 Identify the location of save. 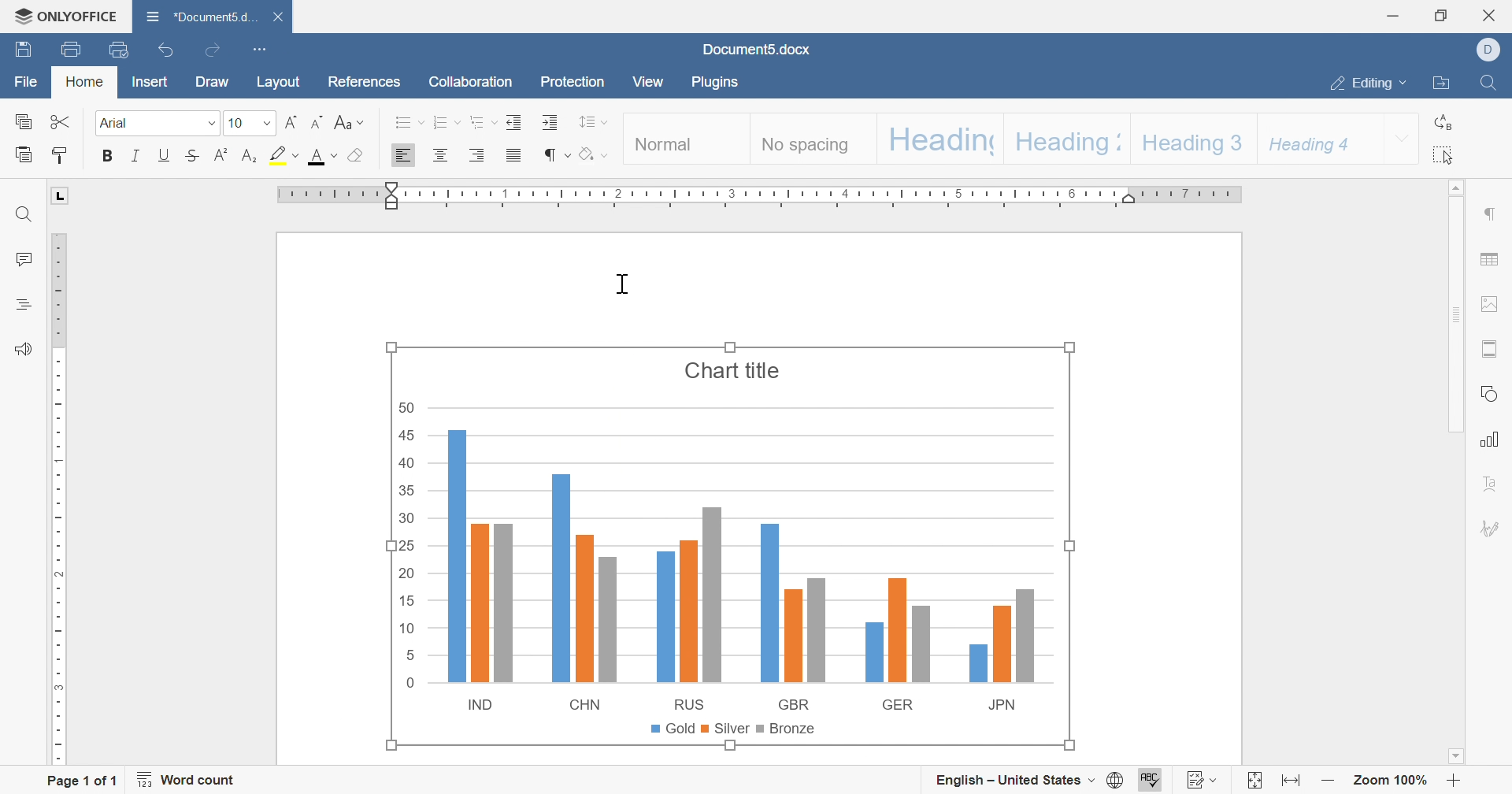
(24, 50).